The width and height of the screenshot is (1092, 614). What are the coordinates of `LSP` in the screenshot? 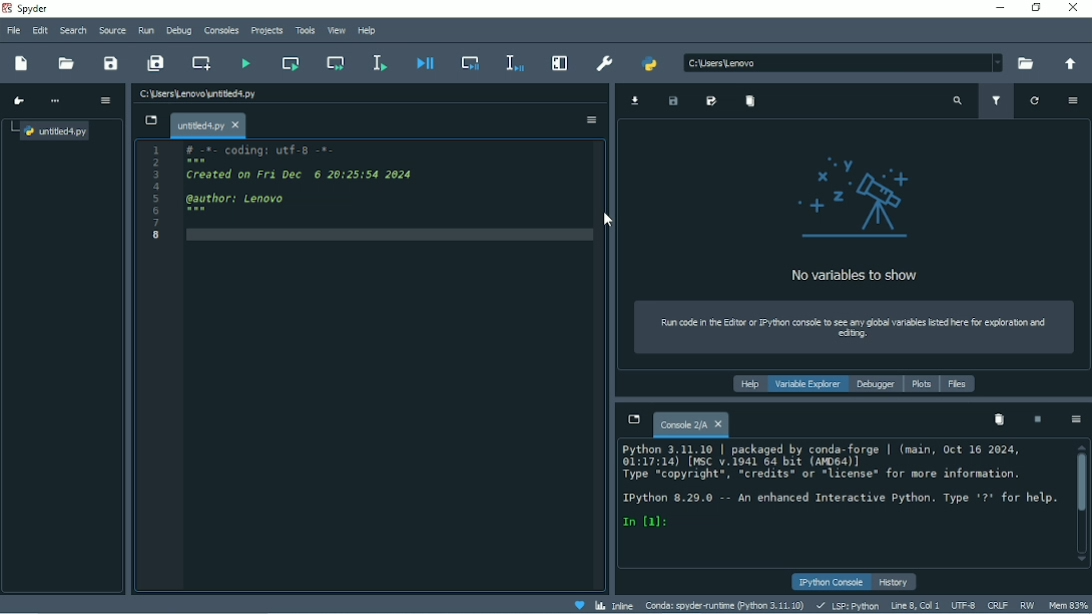 It's located at (847, 605).